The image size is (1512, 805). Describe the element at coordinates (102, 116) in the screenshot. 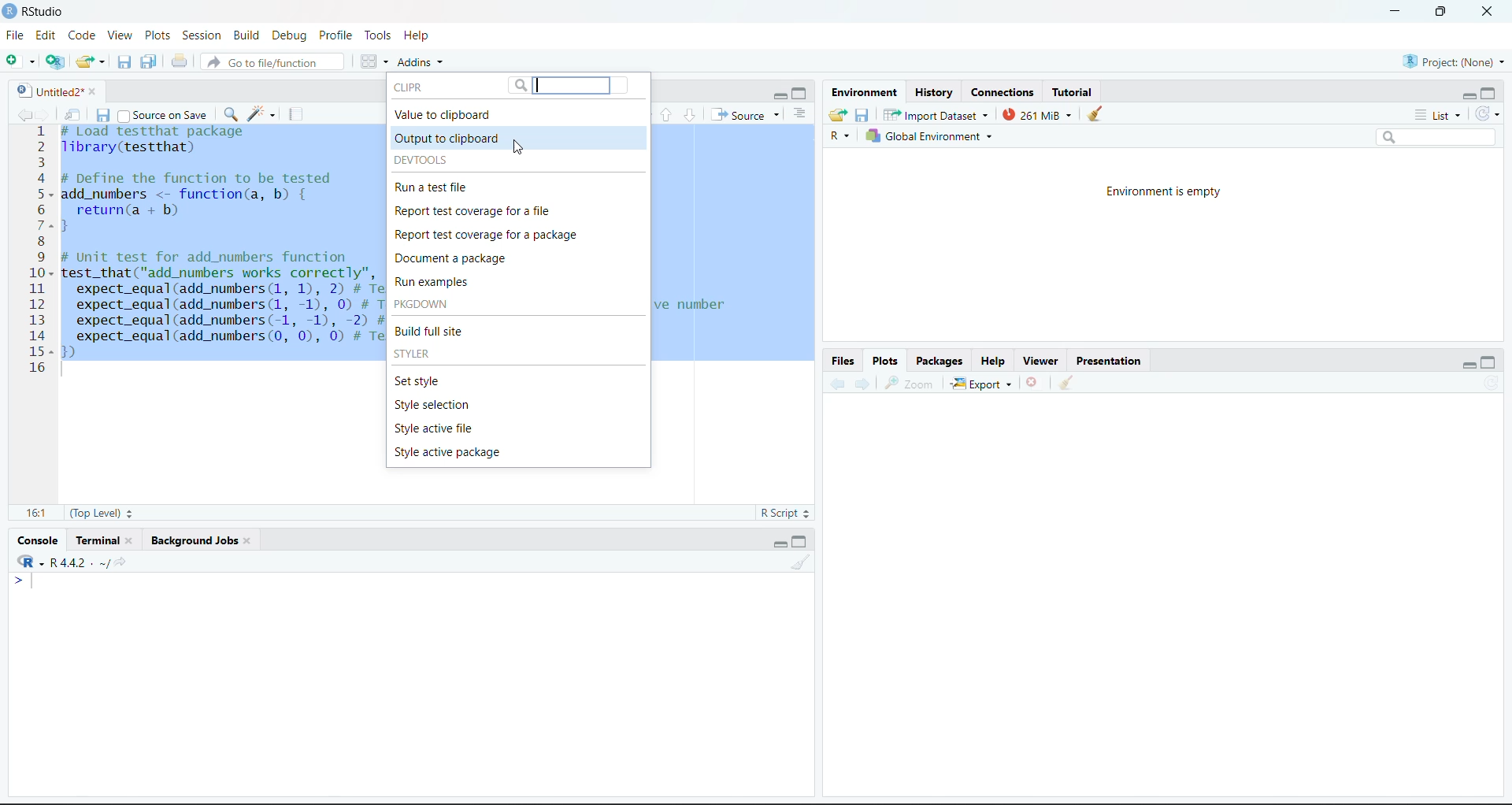

I see `Save` at that location.